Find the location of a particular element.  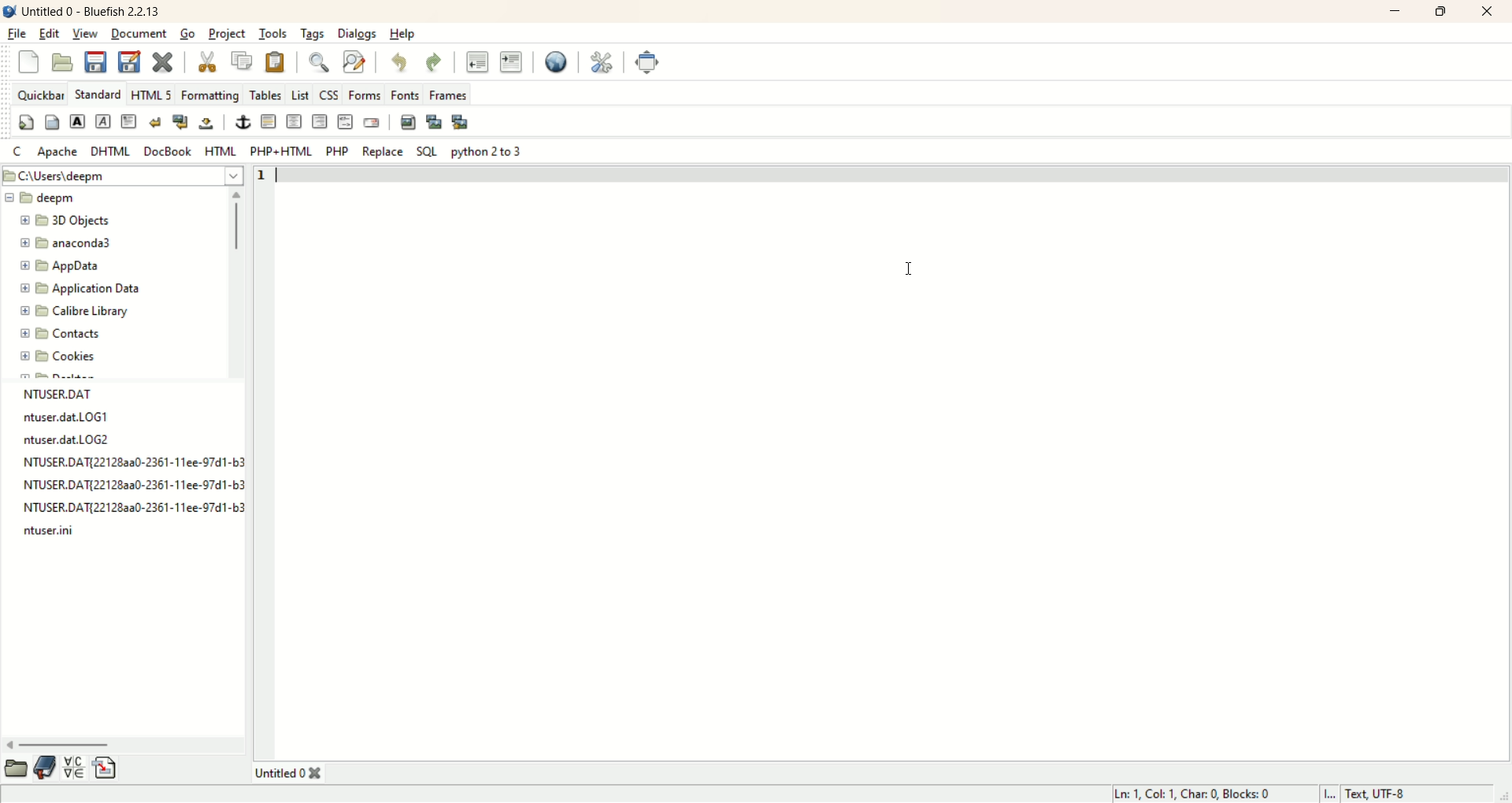

HTML 5 is located at coordinates (154, 95).